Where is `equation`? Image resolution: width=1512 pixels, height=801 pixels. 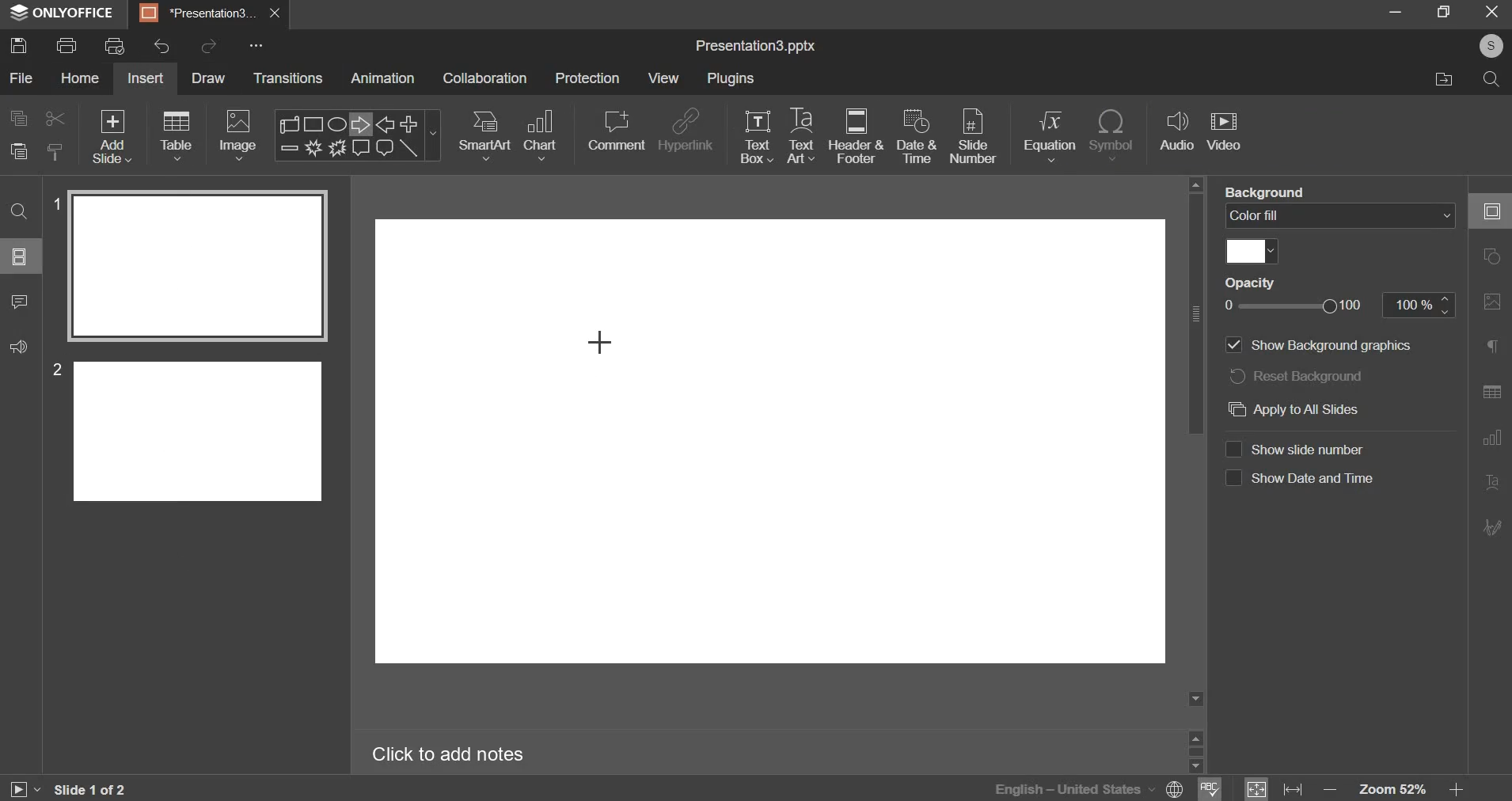 equation is located at coordinates (1049, 135).